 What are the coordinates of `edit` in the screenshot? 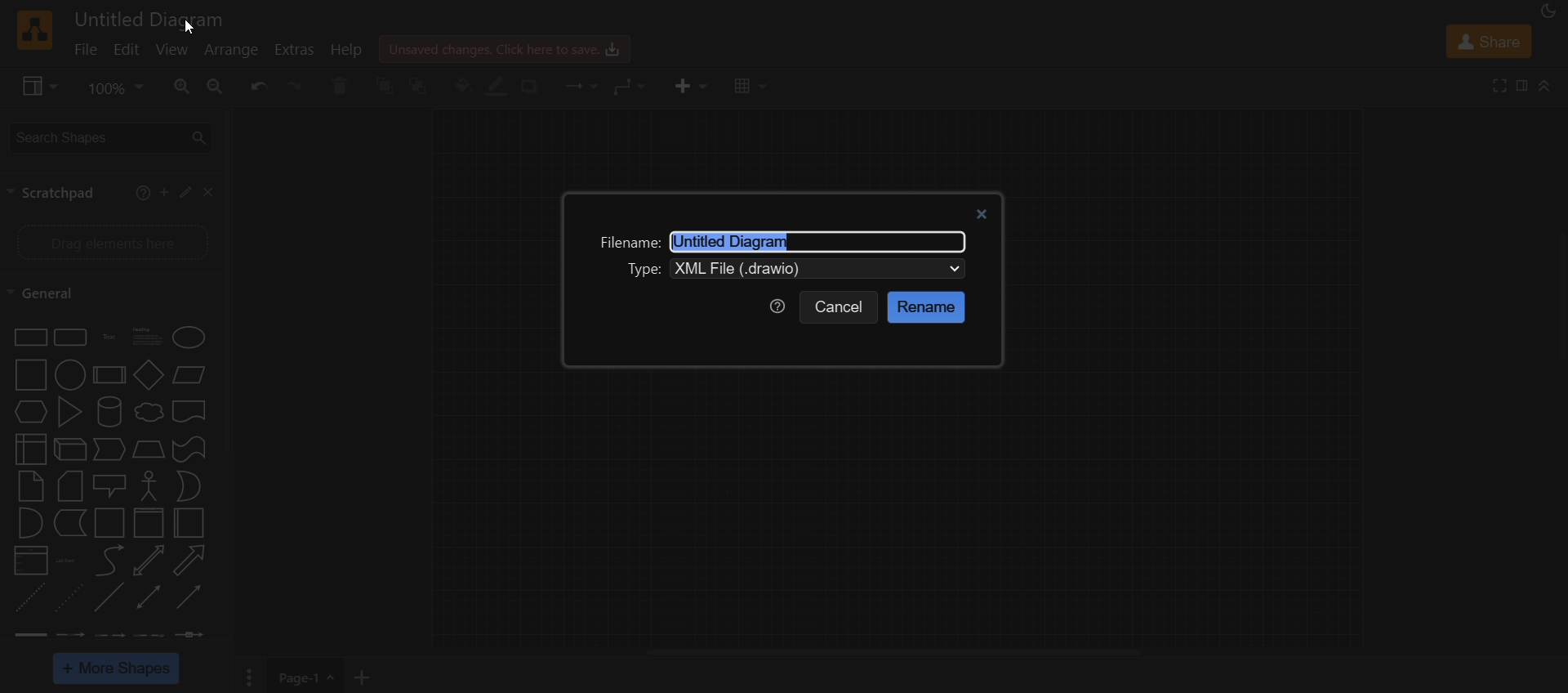 It's located at (126, 51).